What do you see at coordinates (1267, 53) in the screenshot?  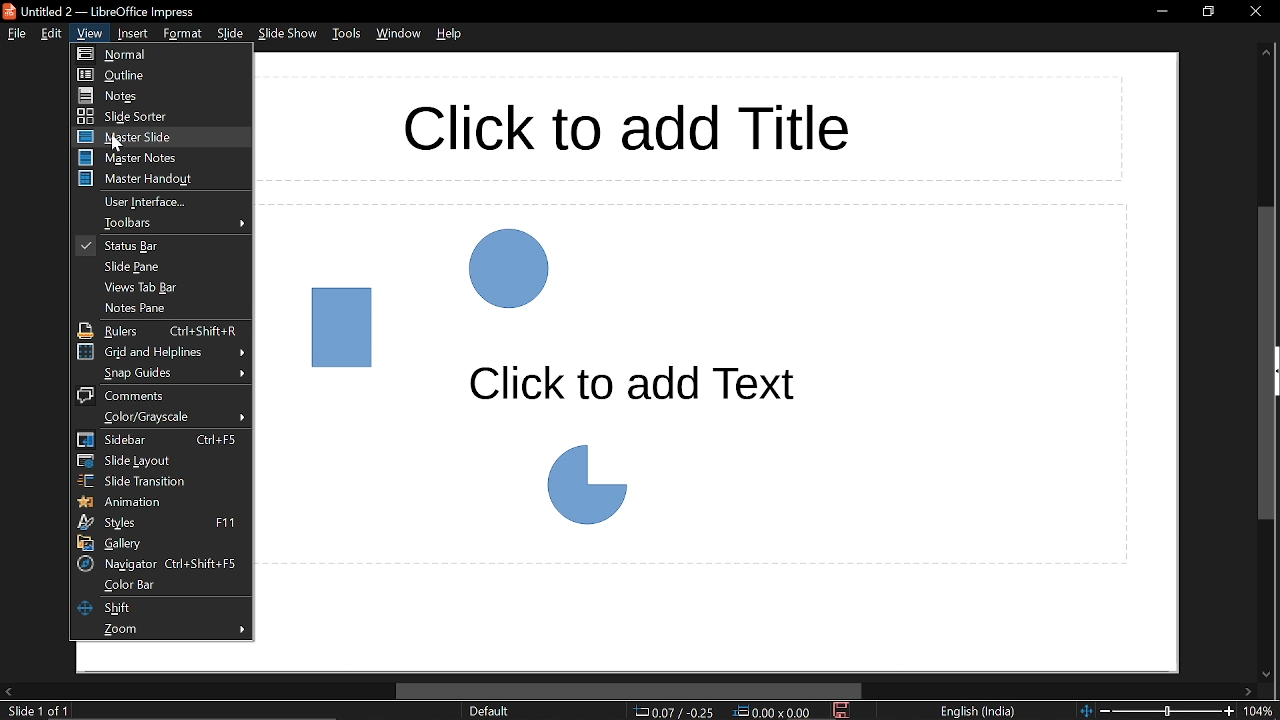 I see `Move up` at bounding box center [1267, 53].